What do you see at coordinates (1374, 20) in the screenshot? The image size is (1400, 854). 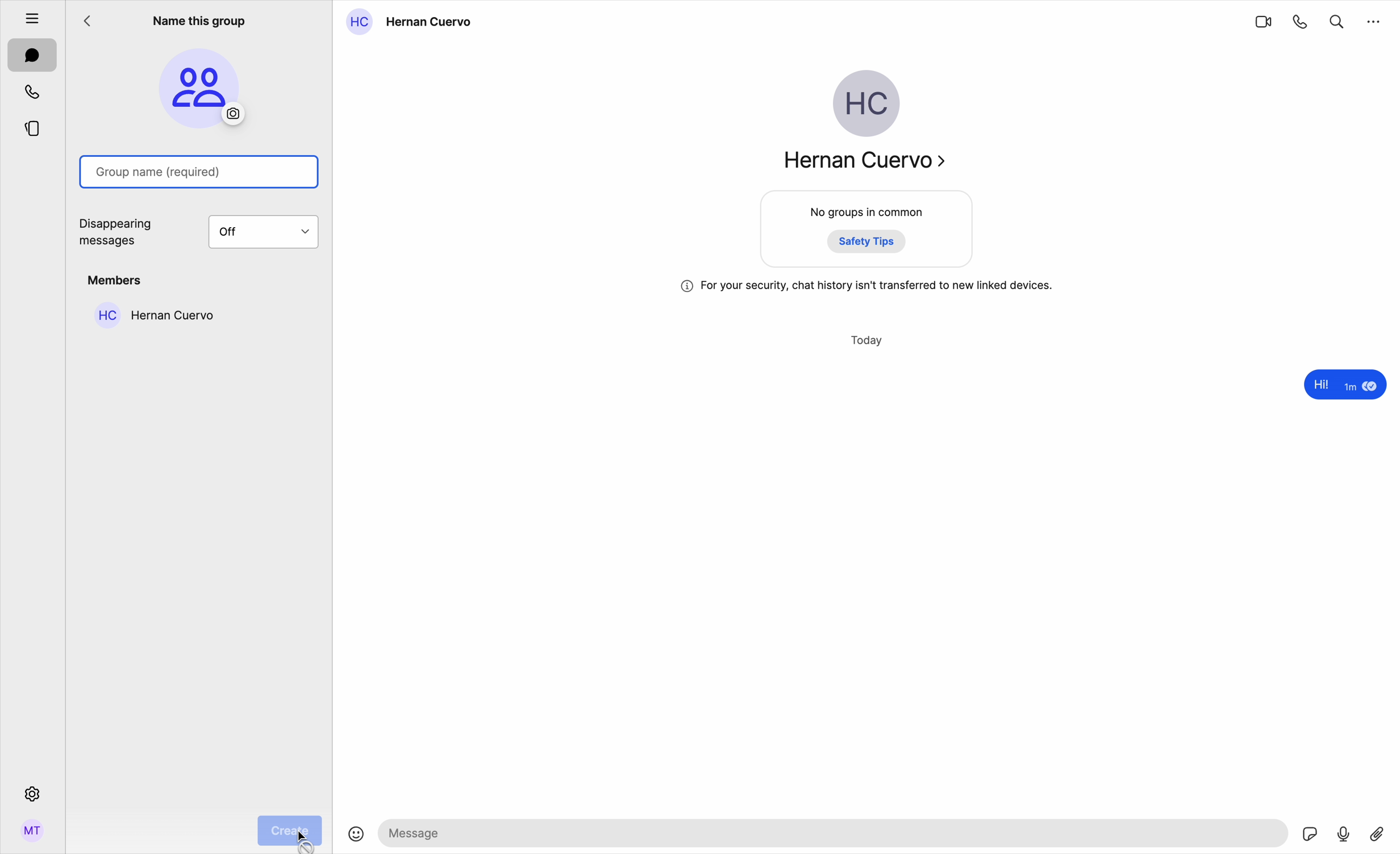 I see `more options` at bounding box center [1374, 20].